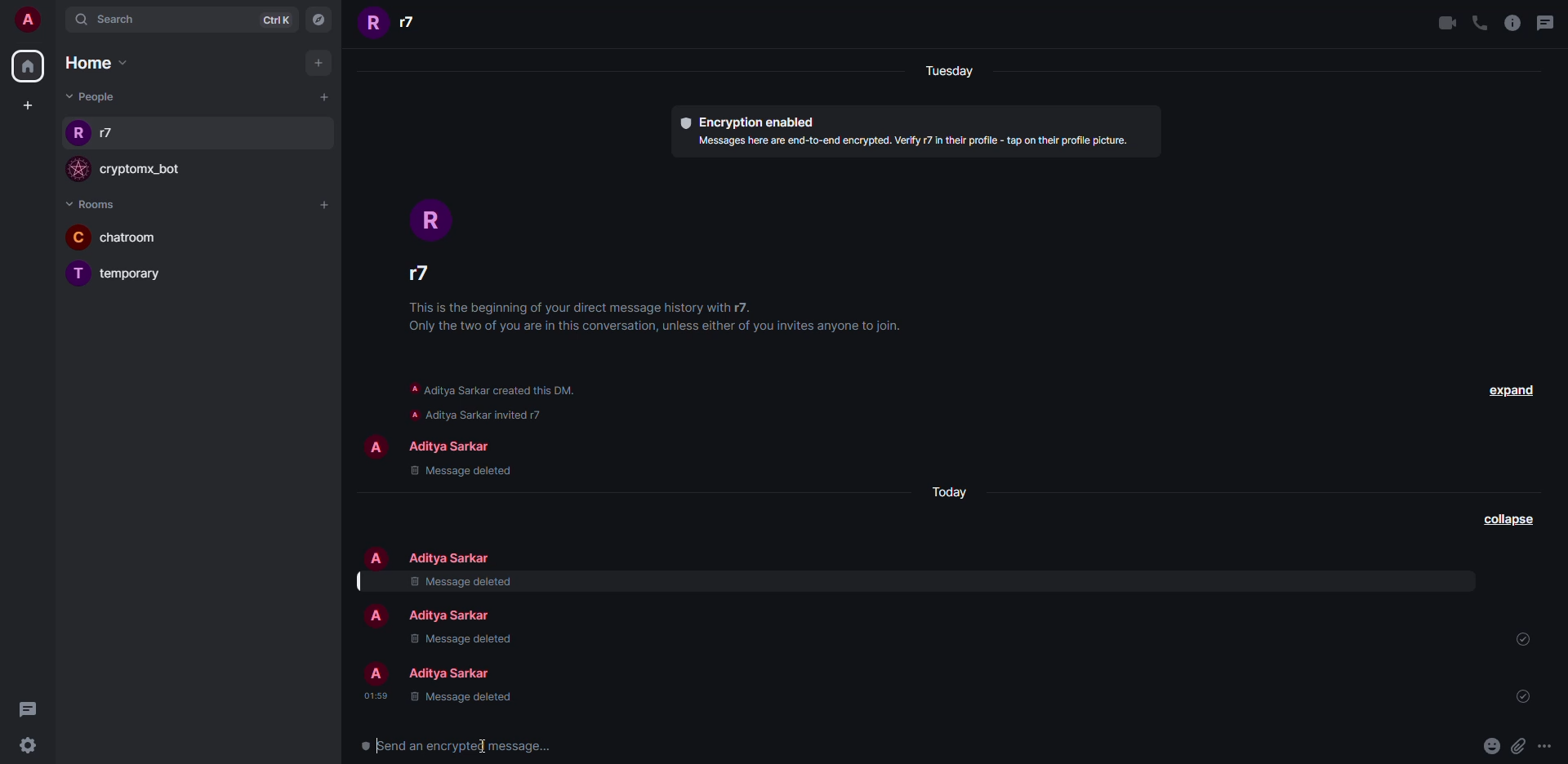  Describe the element at coordinates (416, 276) in the screenshot. I see `people` at that location.